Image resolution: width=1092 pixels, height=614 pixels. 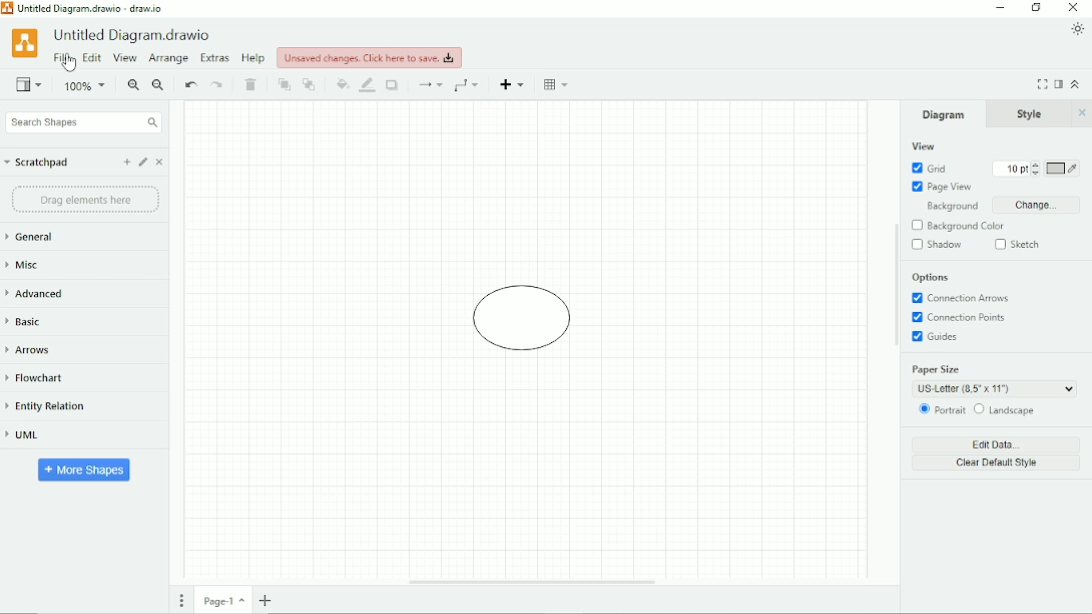 What do you see at coordinates (998, 380) in the screenshot?
I see `Paper Size: US Letter (8.5' x 11')` at bounding box center [998, 380].